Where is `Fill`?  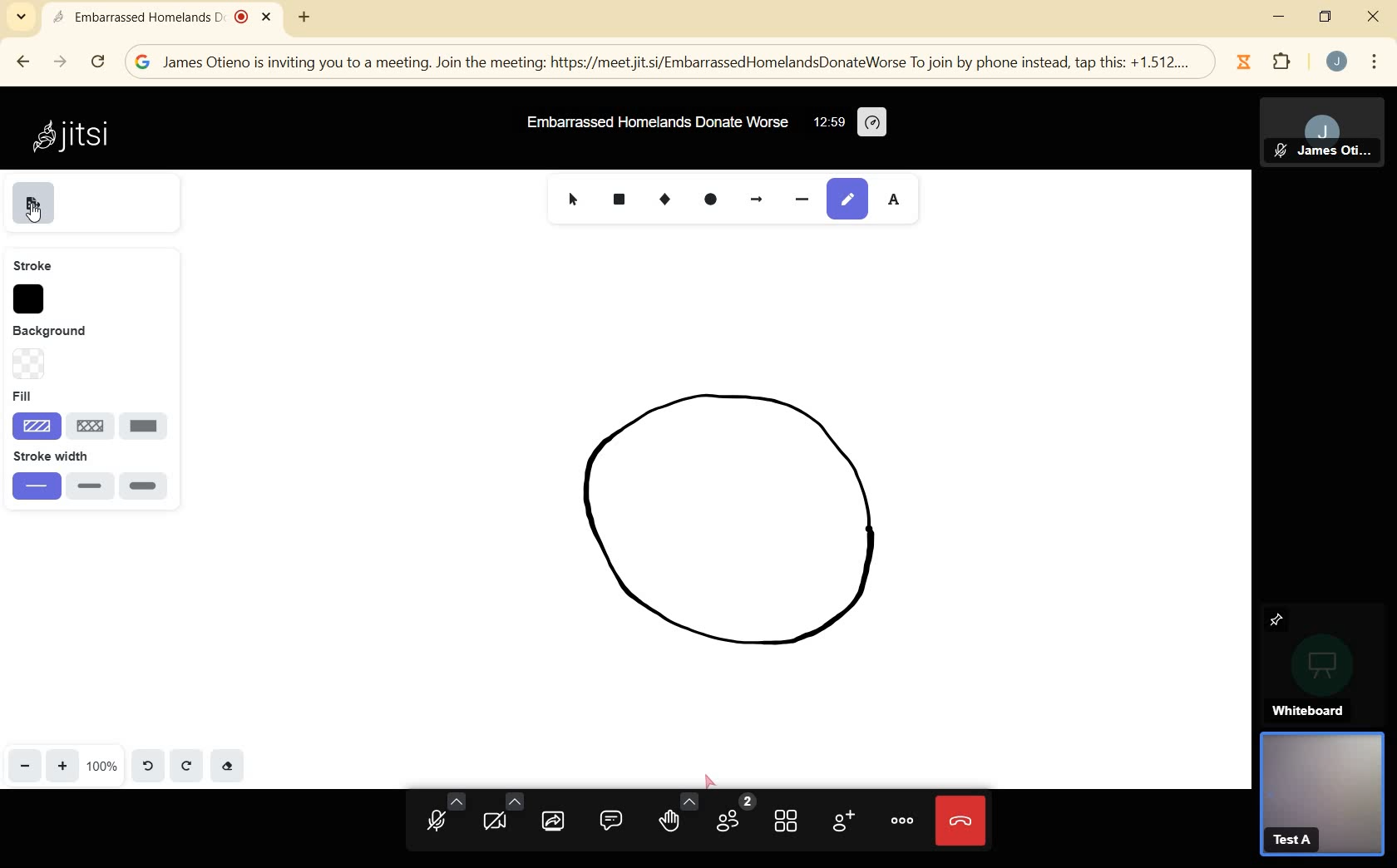
Fill is located at coordinates (87, 395).